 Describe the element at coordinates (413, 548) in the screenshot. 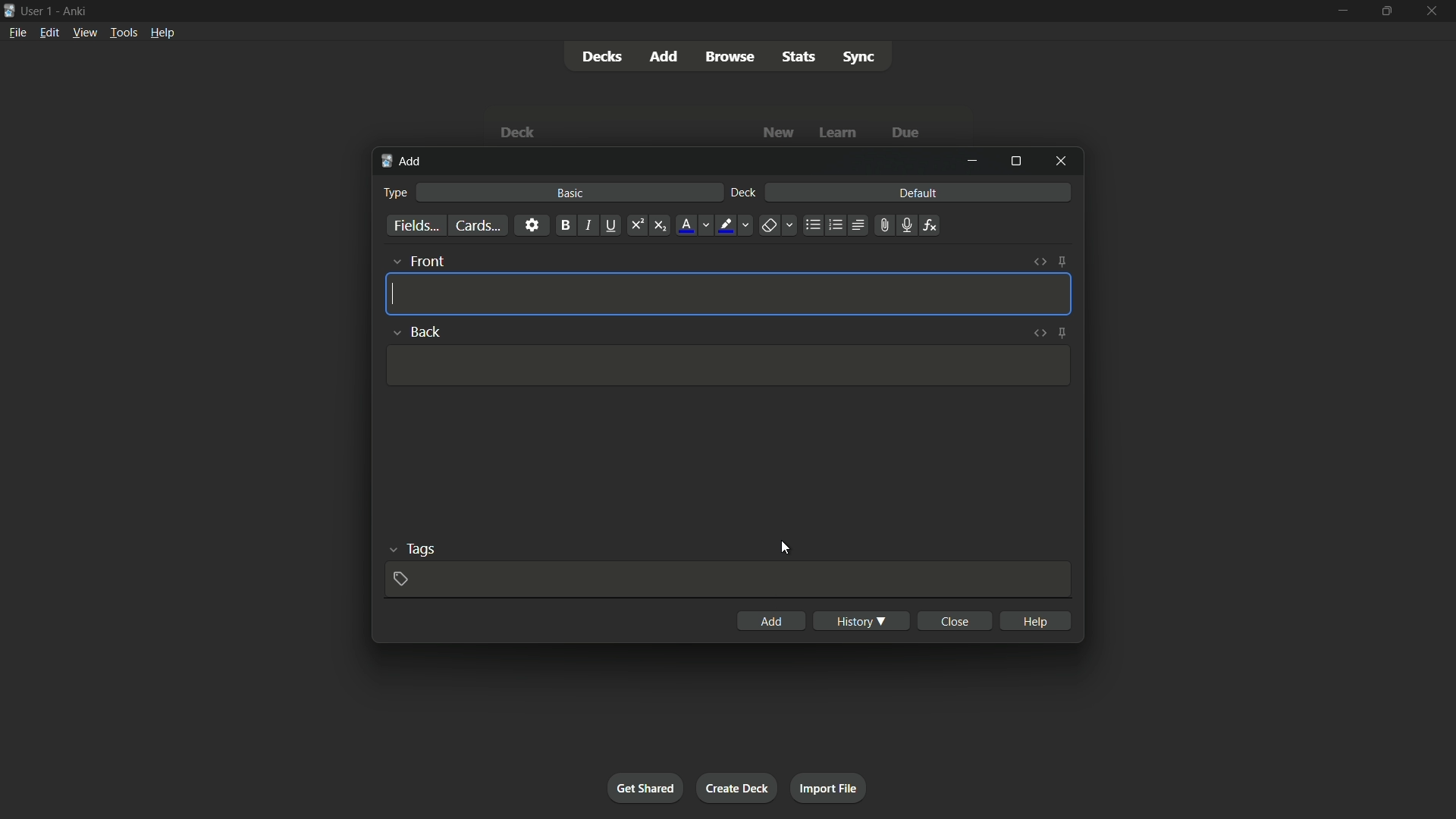

I see `tags` at that location.